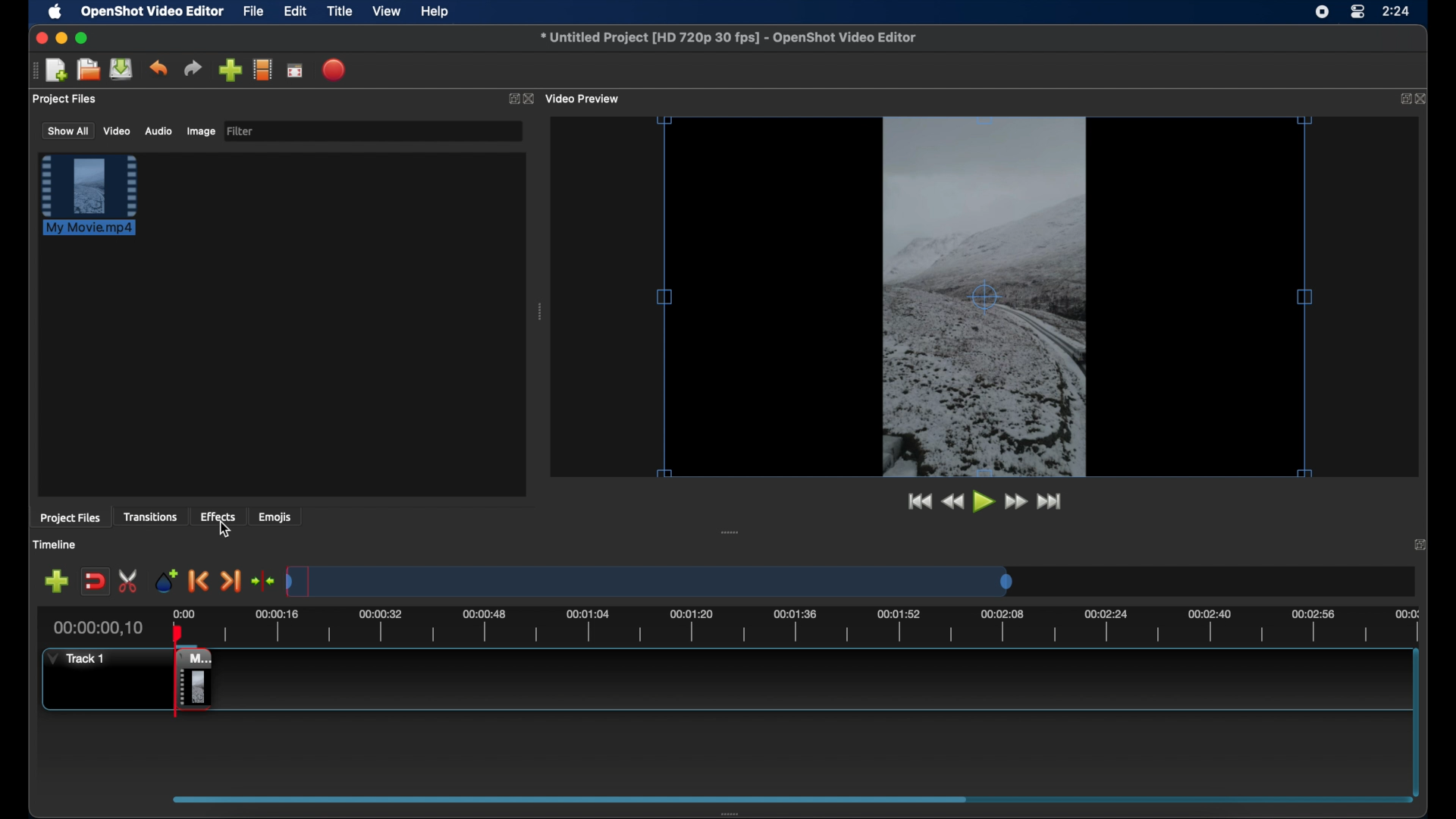  Describe the element at coordinates (121, 69) in the screenshot. I see `save project files` at that location.